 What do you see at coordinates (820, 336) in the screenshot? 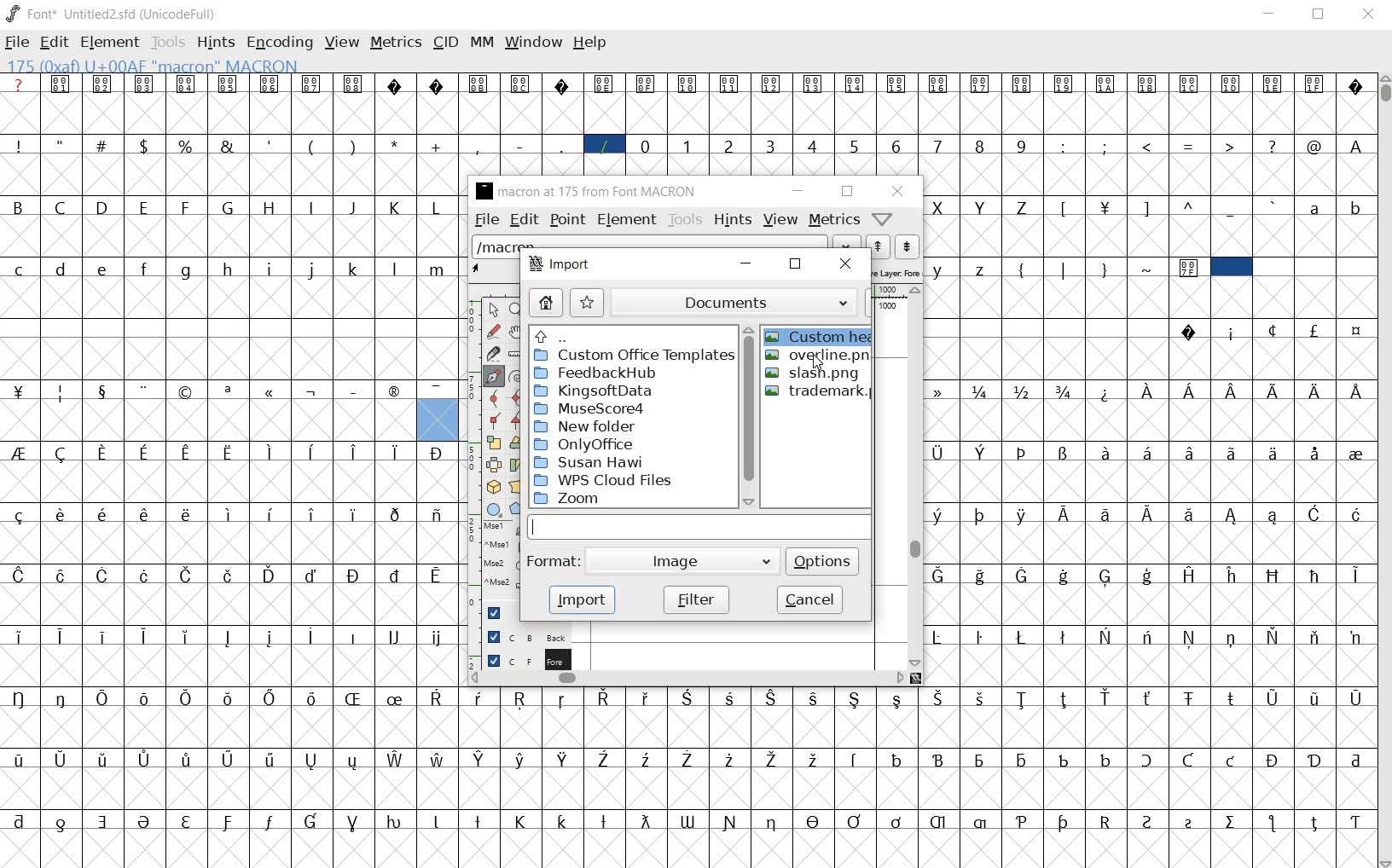
I see `Custom hea` at bounding box center [820, 336].